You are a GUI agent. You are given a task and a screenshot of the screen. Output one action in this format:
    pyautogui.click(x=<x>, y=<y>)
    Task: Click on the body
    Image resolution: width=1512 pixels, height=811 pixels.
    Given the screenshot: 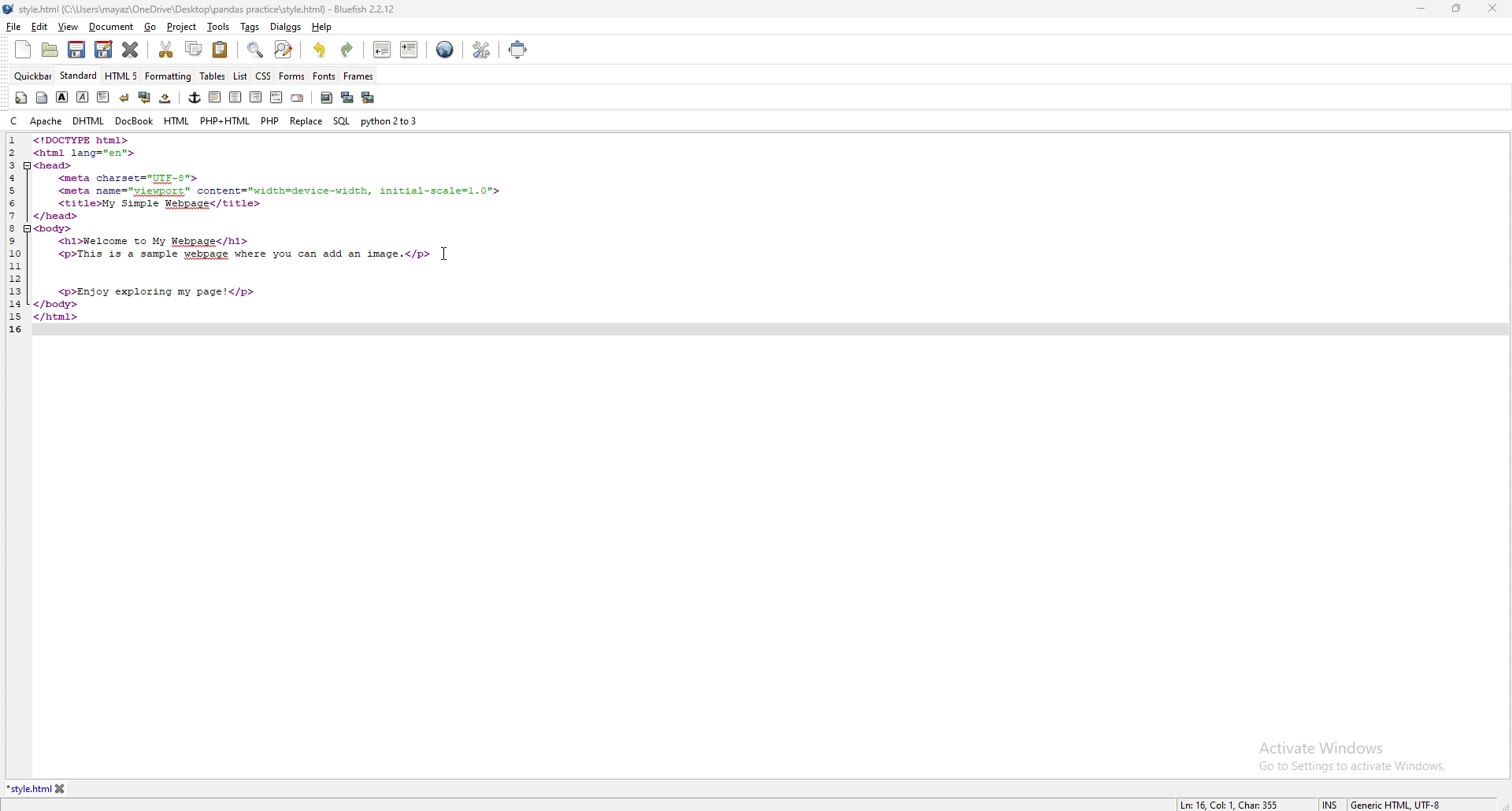 What is the action you would take?
    pyautogui.click(x=42, y=98)
    